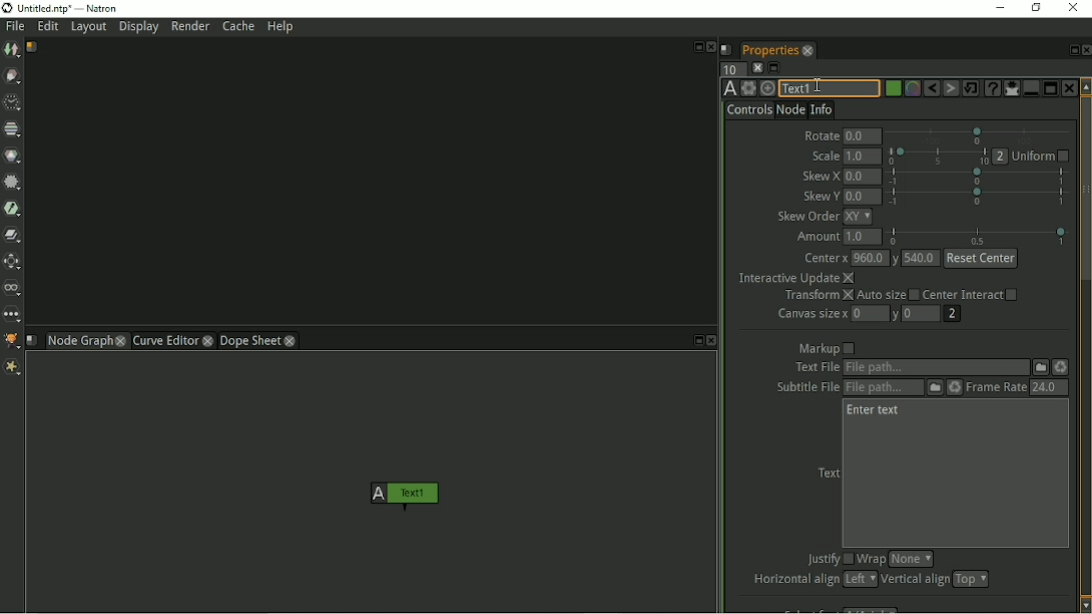  I want to click on file path, so click(936, 368).